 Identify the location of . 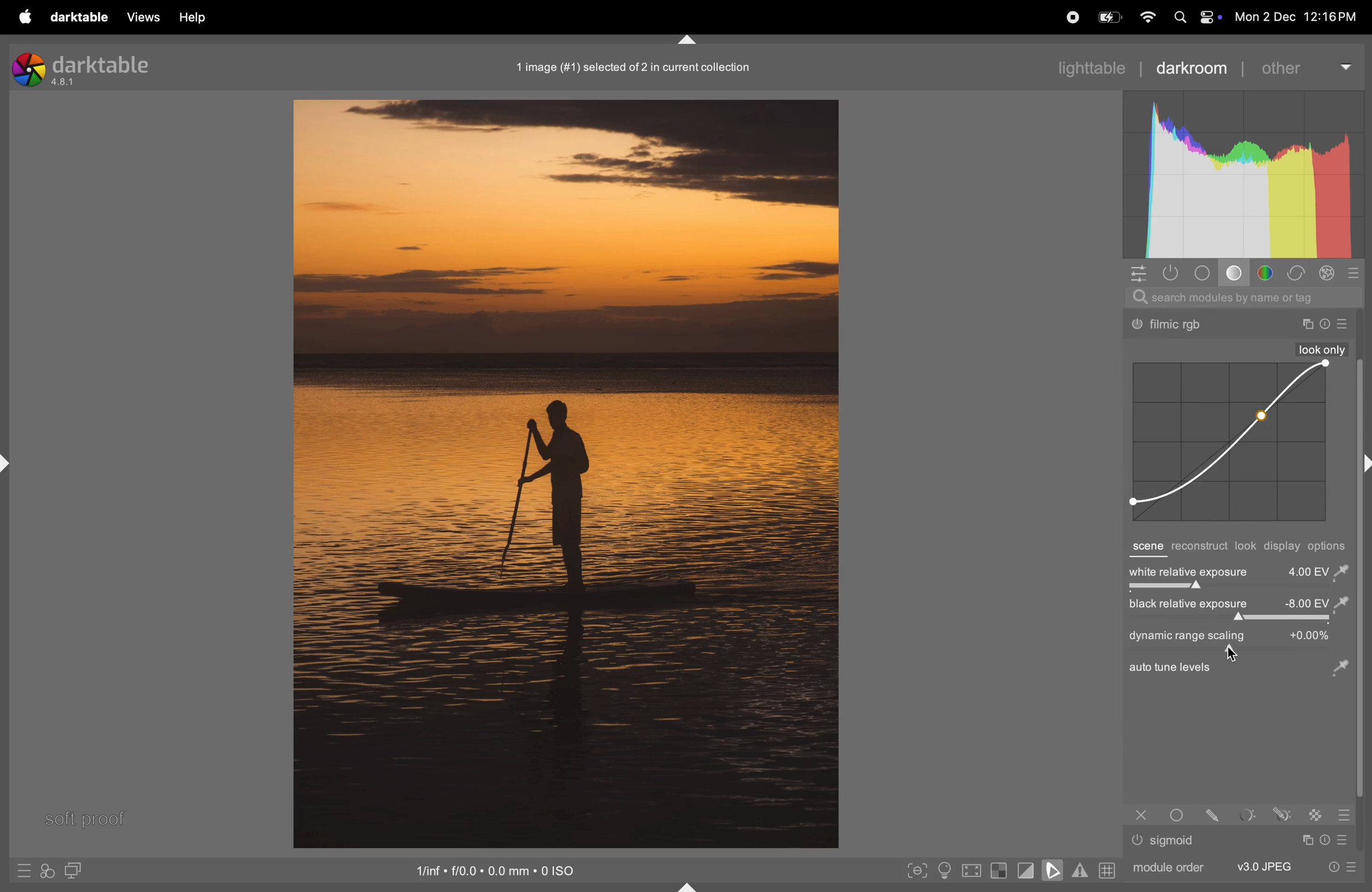
(1169, 668).